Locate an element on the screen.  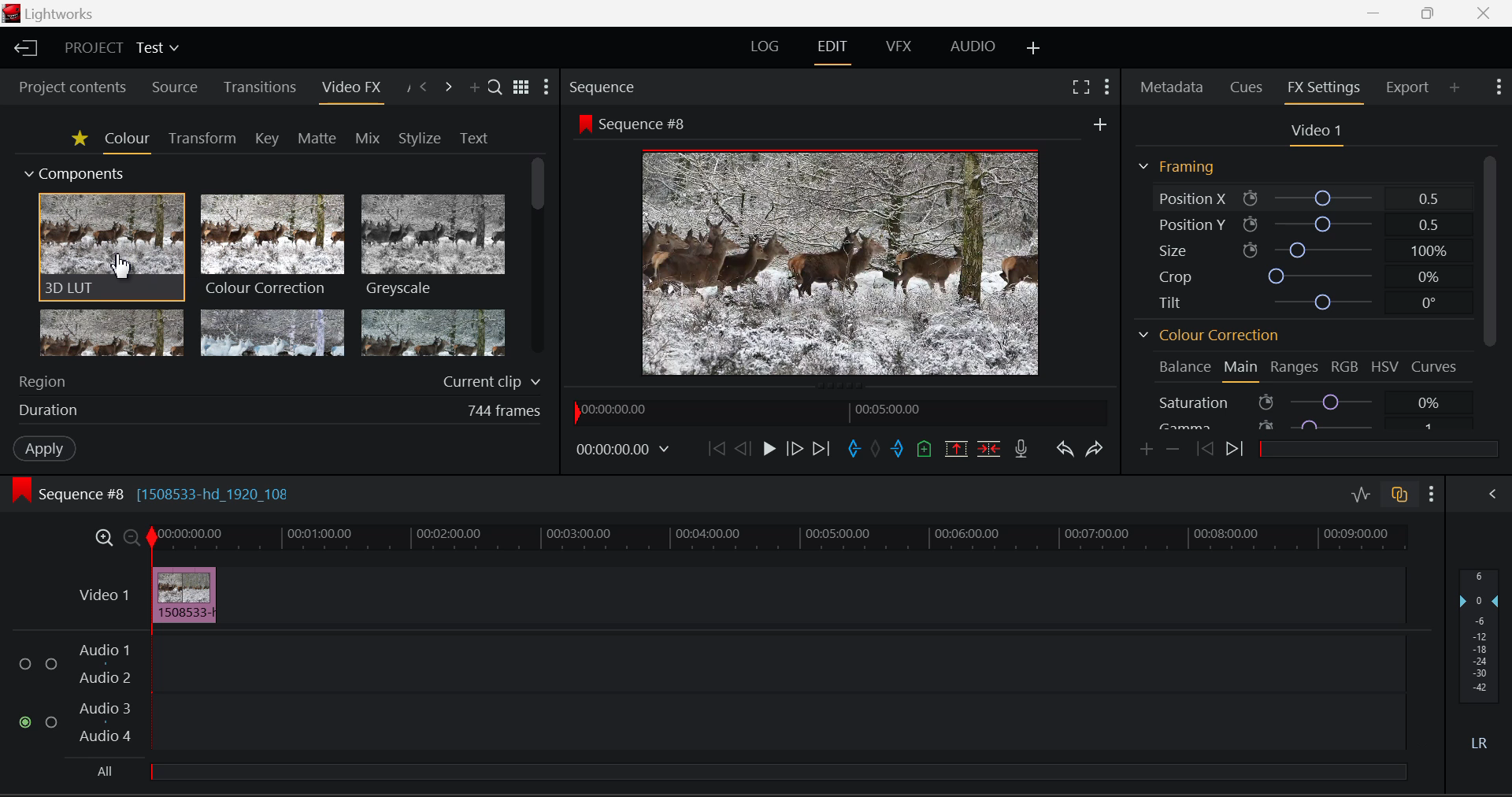
Audio Input Checkbox is located at coordinates (53, 664).